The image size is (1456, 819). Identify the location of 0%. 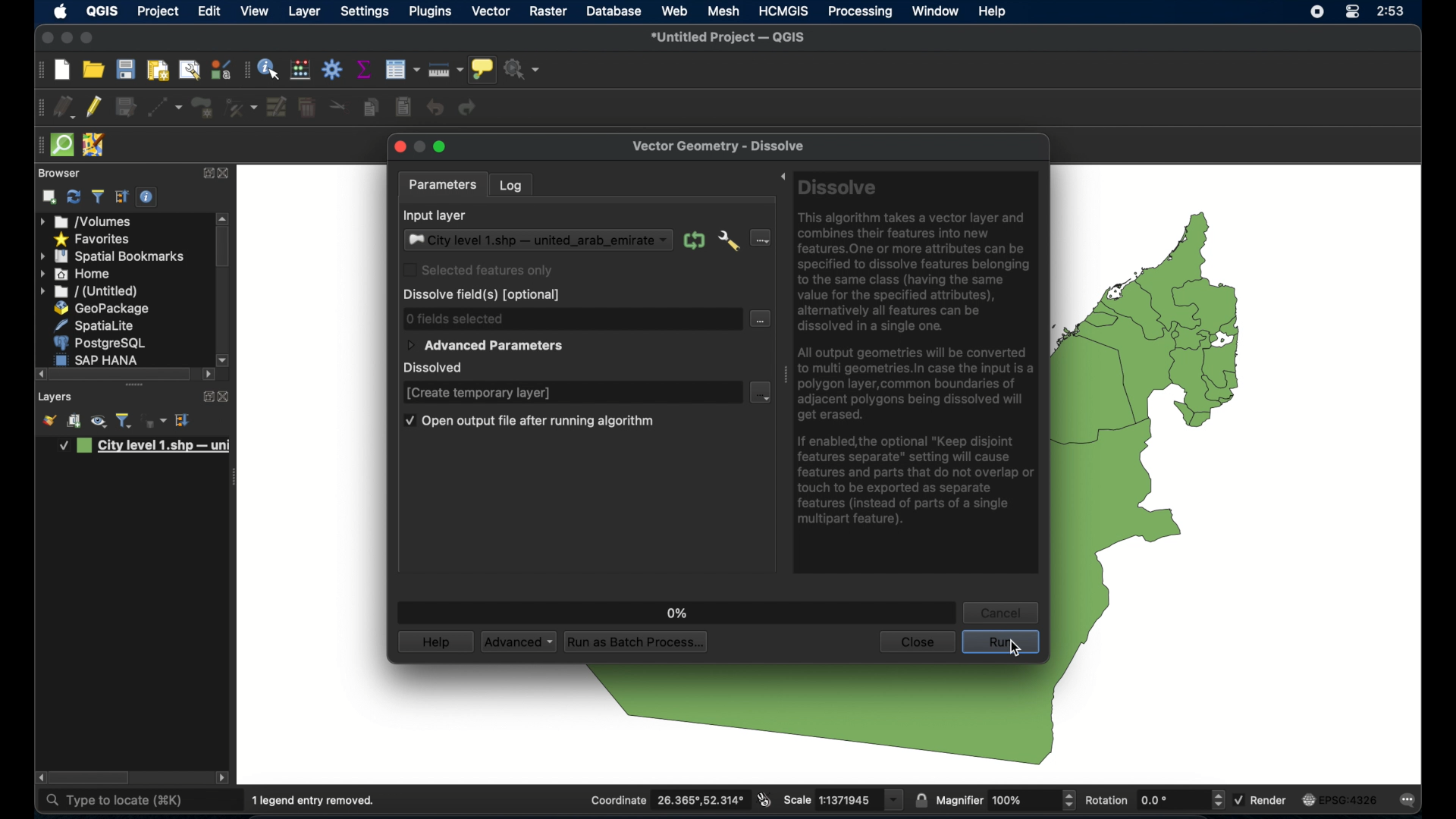
(678, 612).